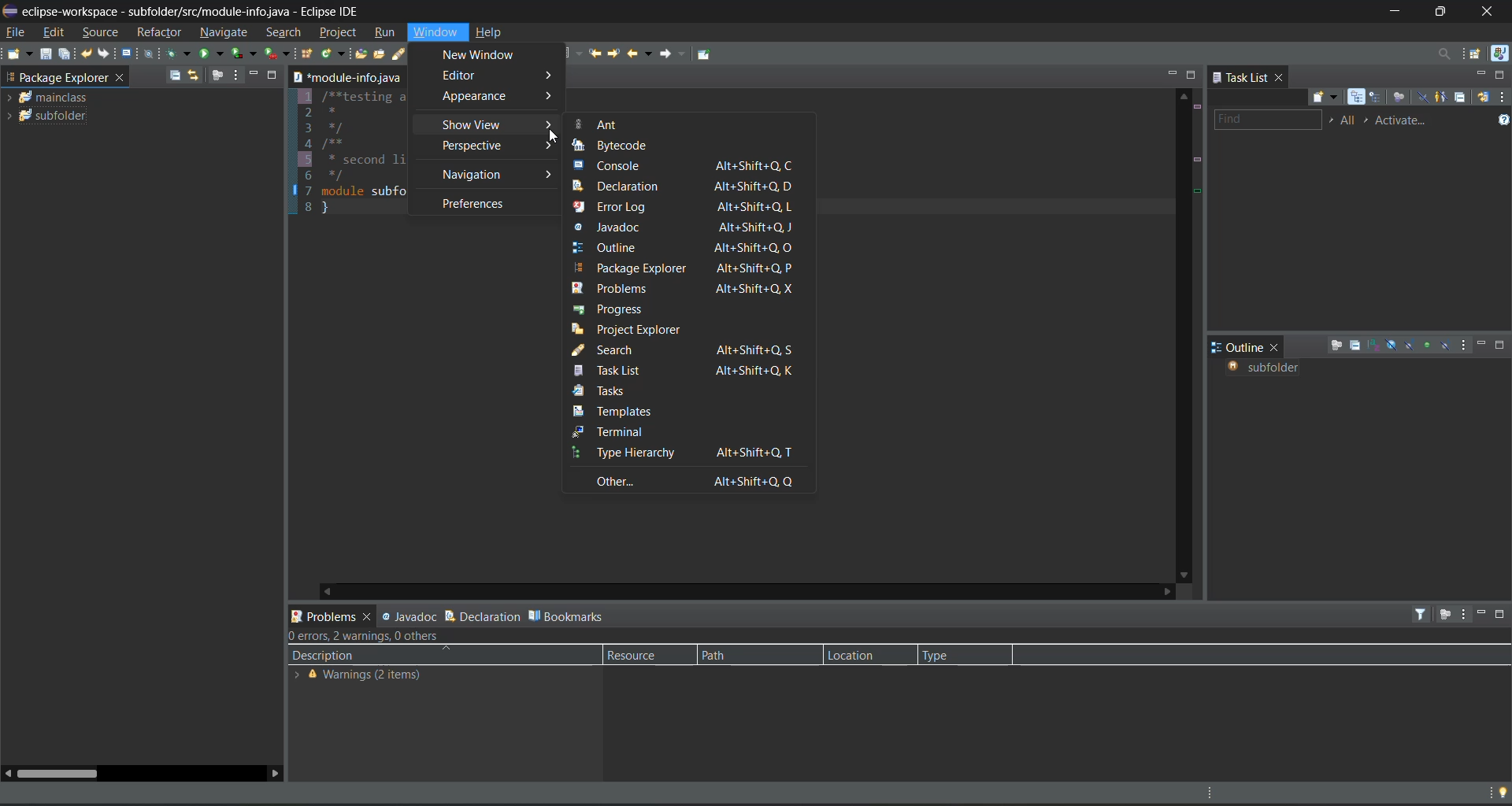 The width and height of the screenshot is (1512, 806). What do you see at coordinates (684, 207) in the screenshot?
I see `error log` at bounding box center [684, 207].